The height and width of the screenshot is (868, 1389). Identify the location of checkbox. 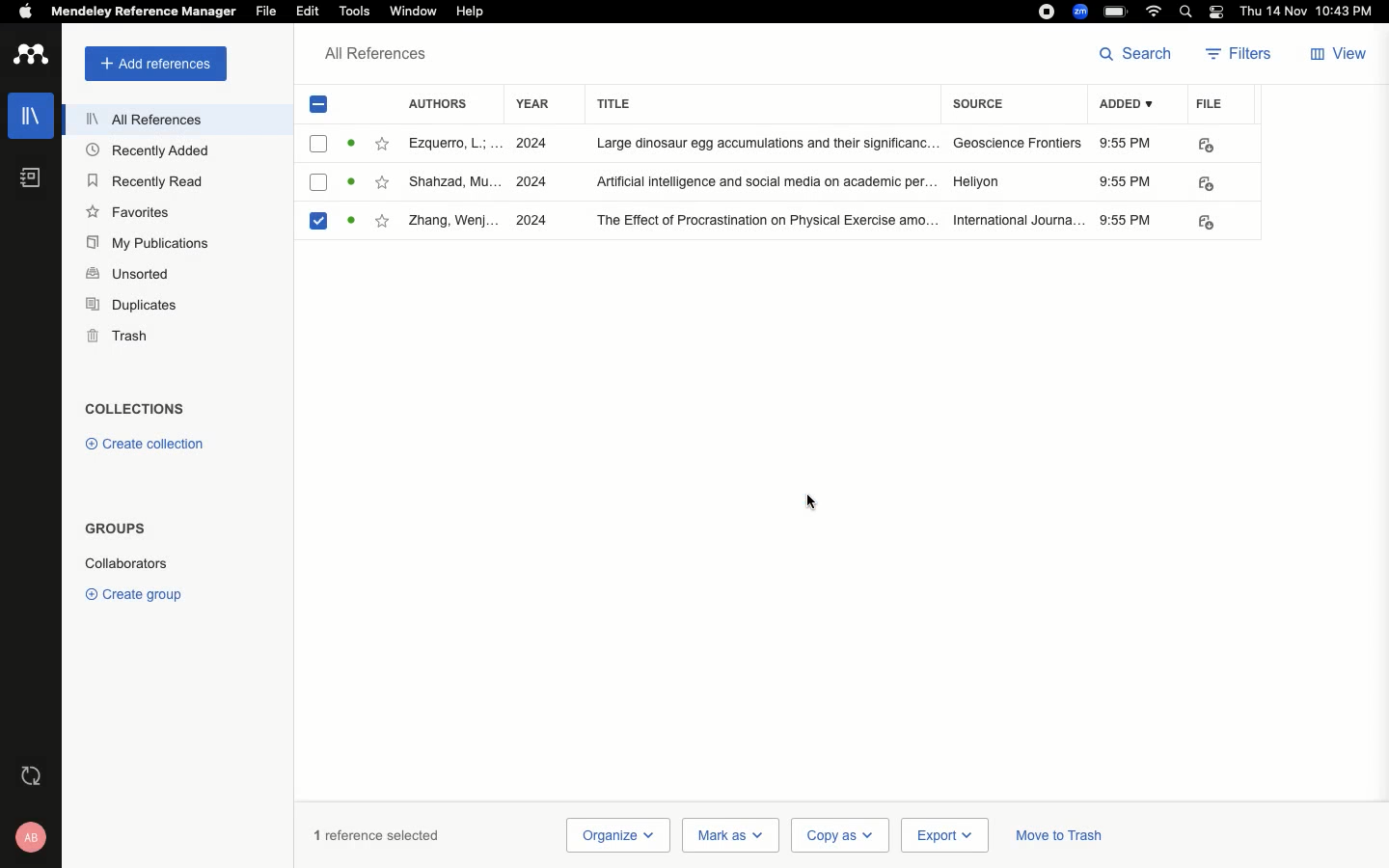
(319, 144).